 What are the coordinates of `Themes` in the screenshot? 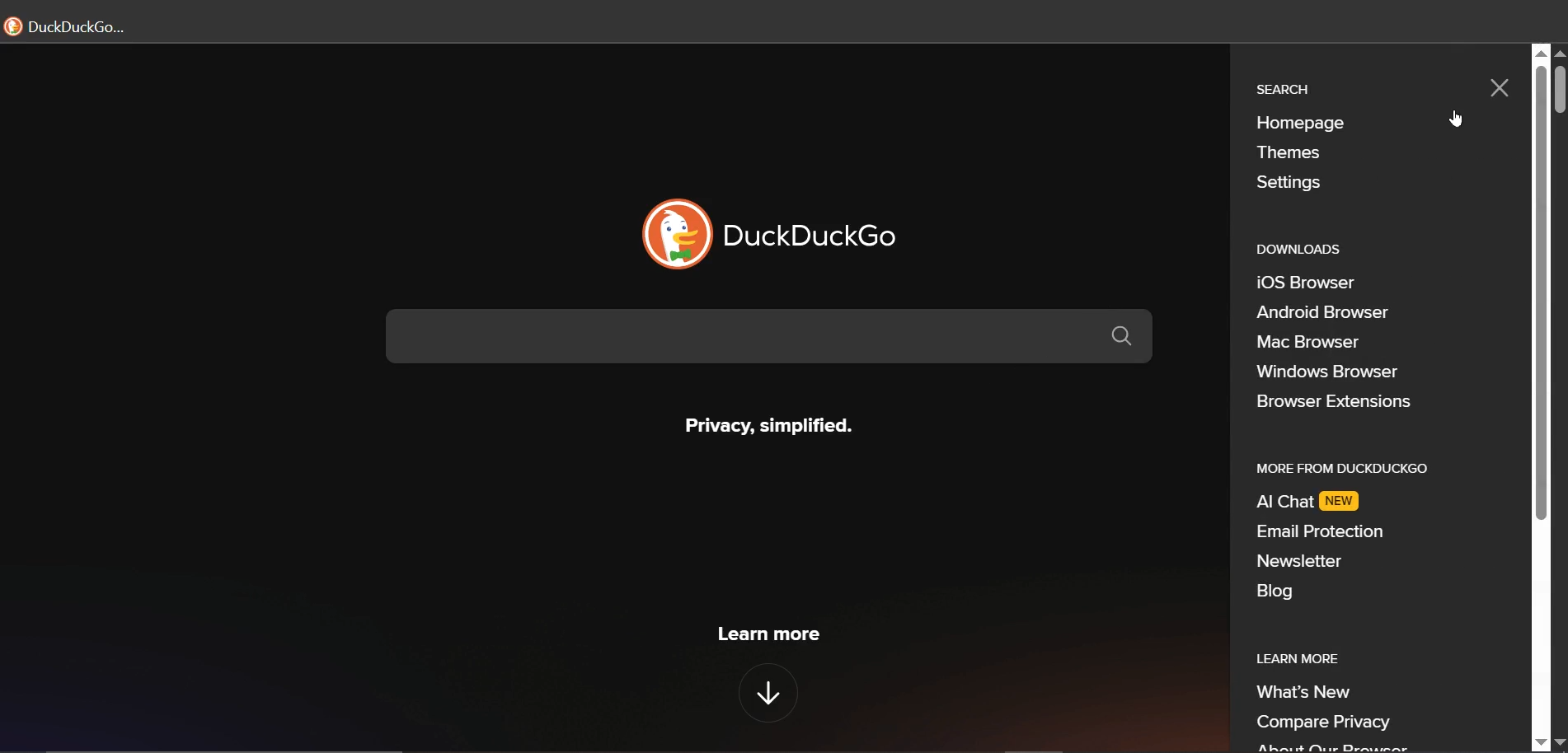 It's located at (1298, 154).